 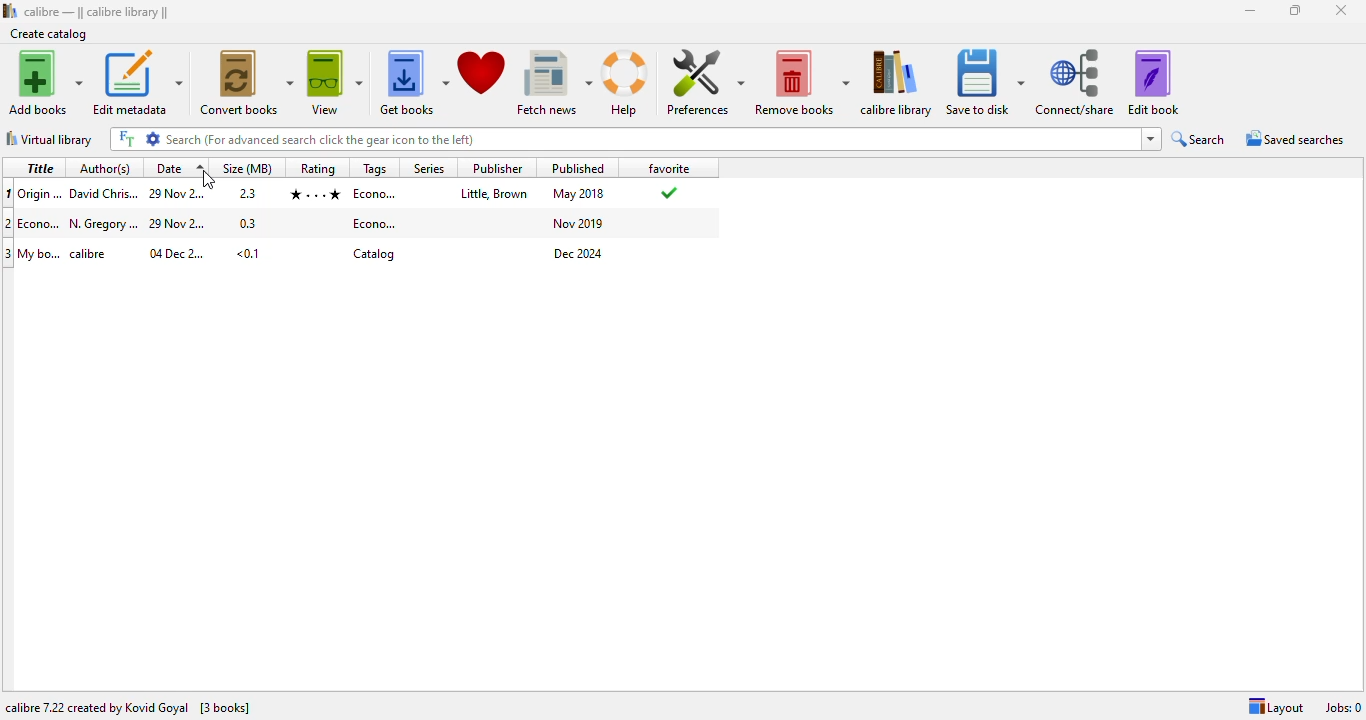 I want to click on size in mbs, so click(x=253, y=254).